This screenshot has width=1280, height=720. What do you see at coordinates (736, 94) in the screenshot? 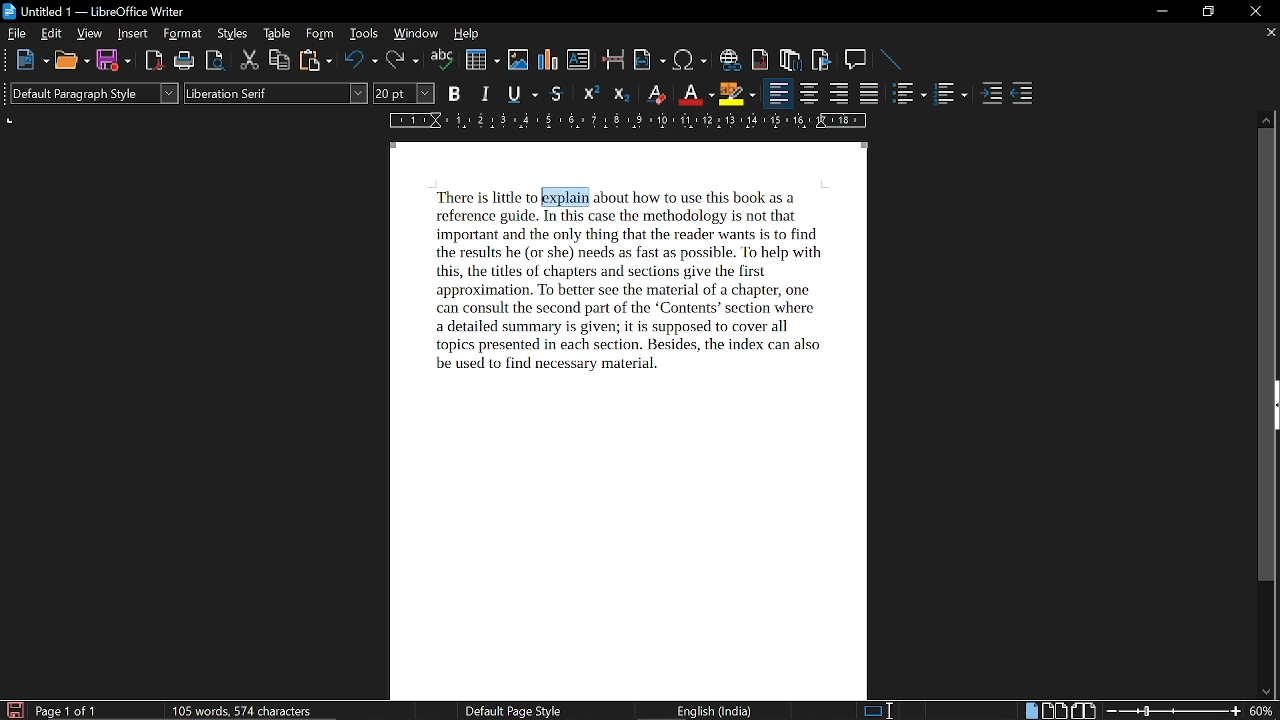
I see `highlight` at bounding box center [736, 94].